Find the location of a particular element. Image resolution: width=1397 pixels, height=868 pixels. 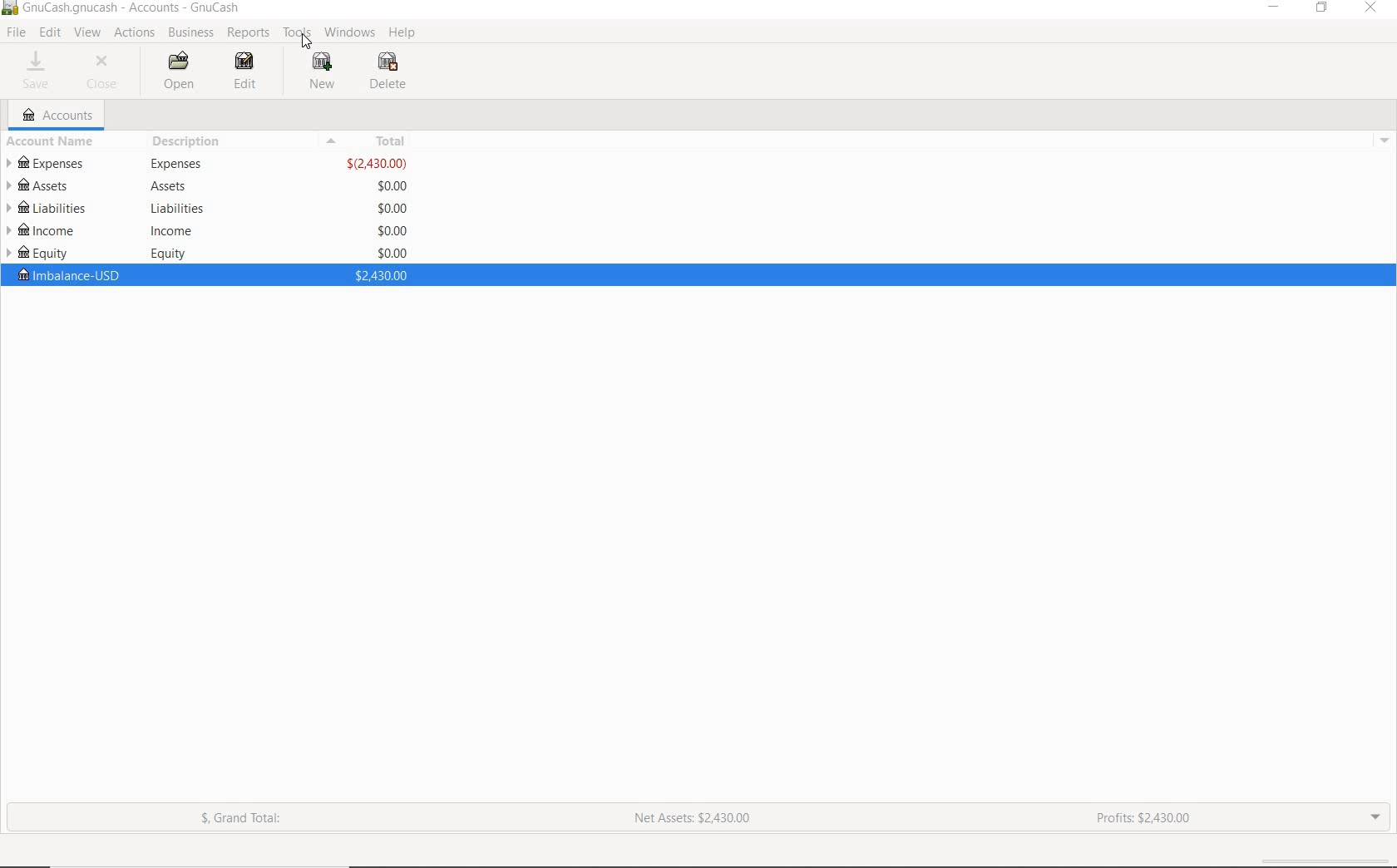

$0.00 is located at coordinates (392, 253).